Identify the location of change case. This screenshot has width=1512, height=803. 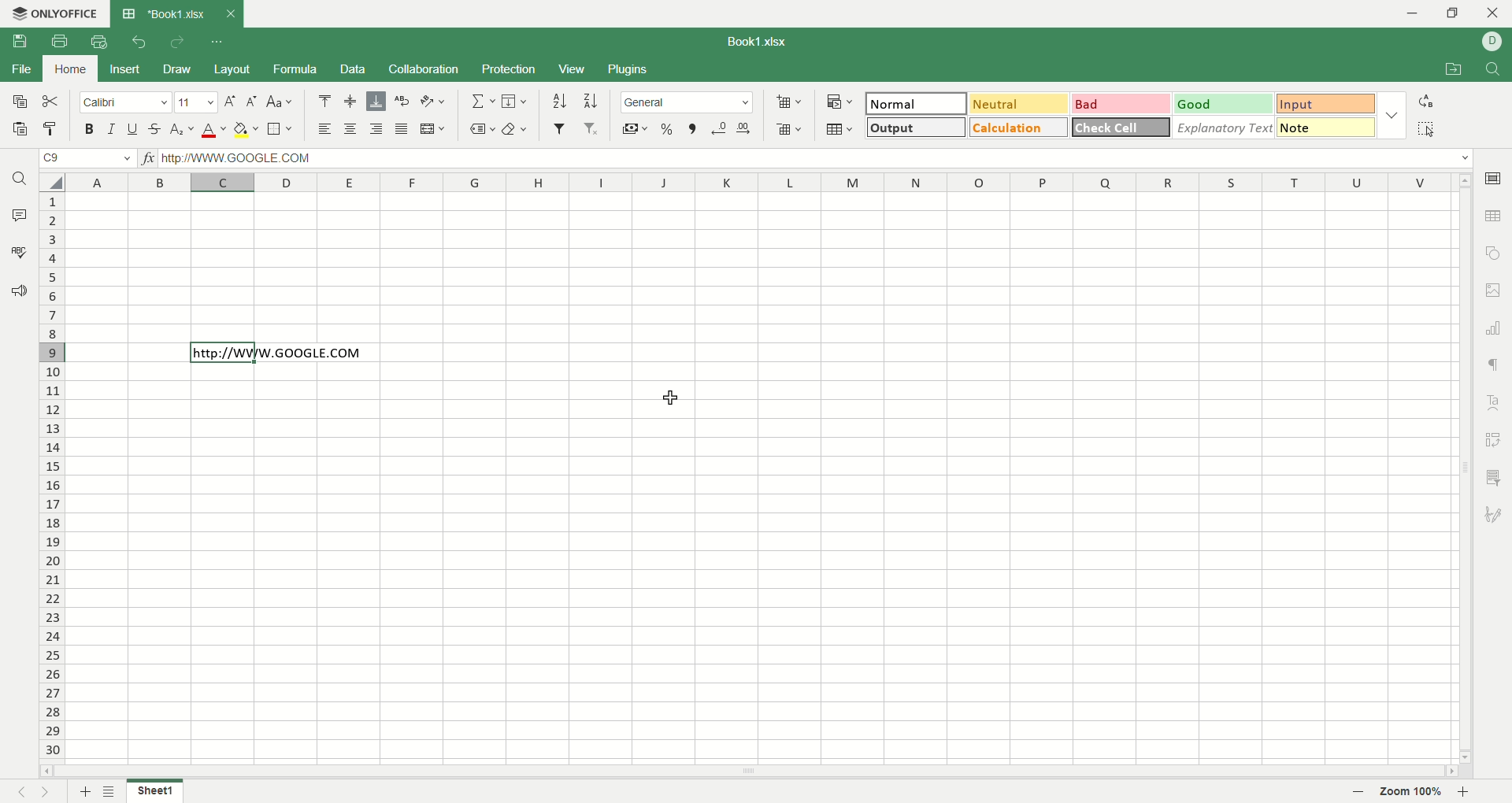
(280, 103).